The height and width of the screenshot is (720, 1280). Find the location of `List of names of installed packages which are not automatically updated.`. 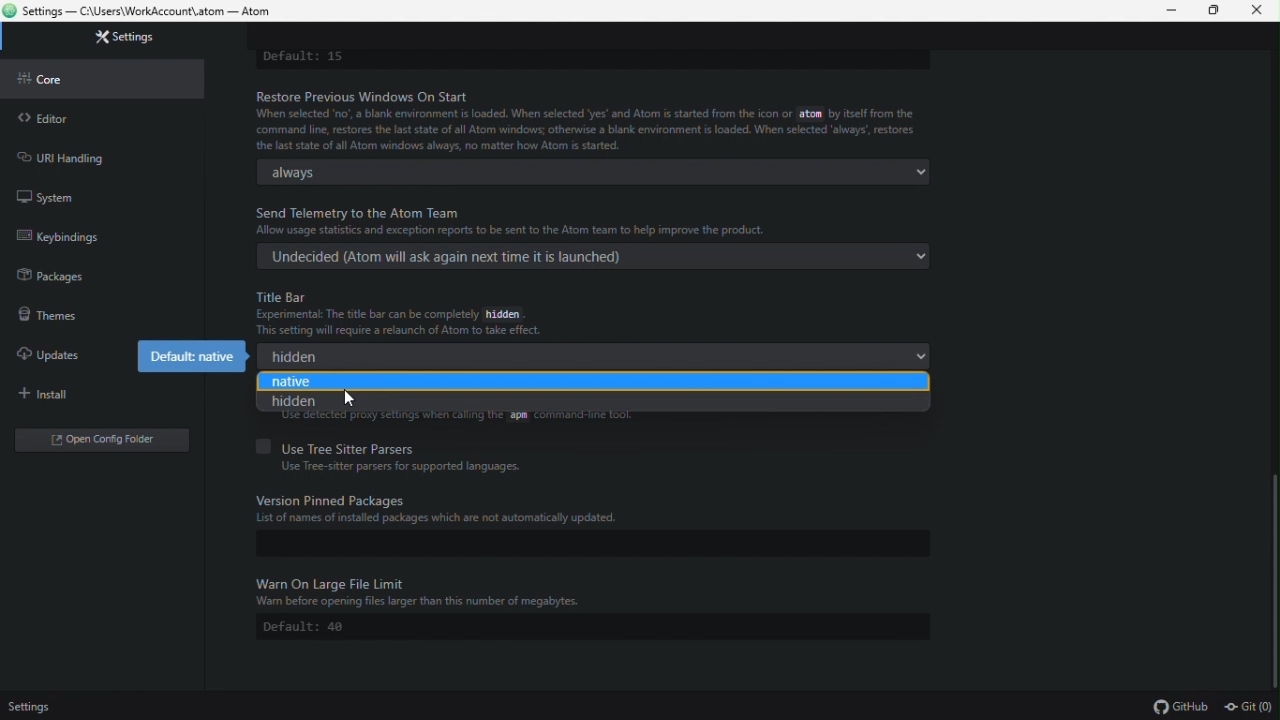

List of names of installed packages which are not automatically updated. is located at coordinates (440, 519).